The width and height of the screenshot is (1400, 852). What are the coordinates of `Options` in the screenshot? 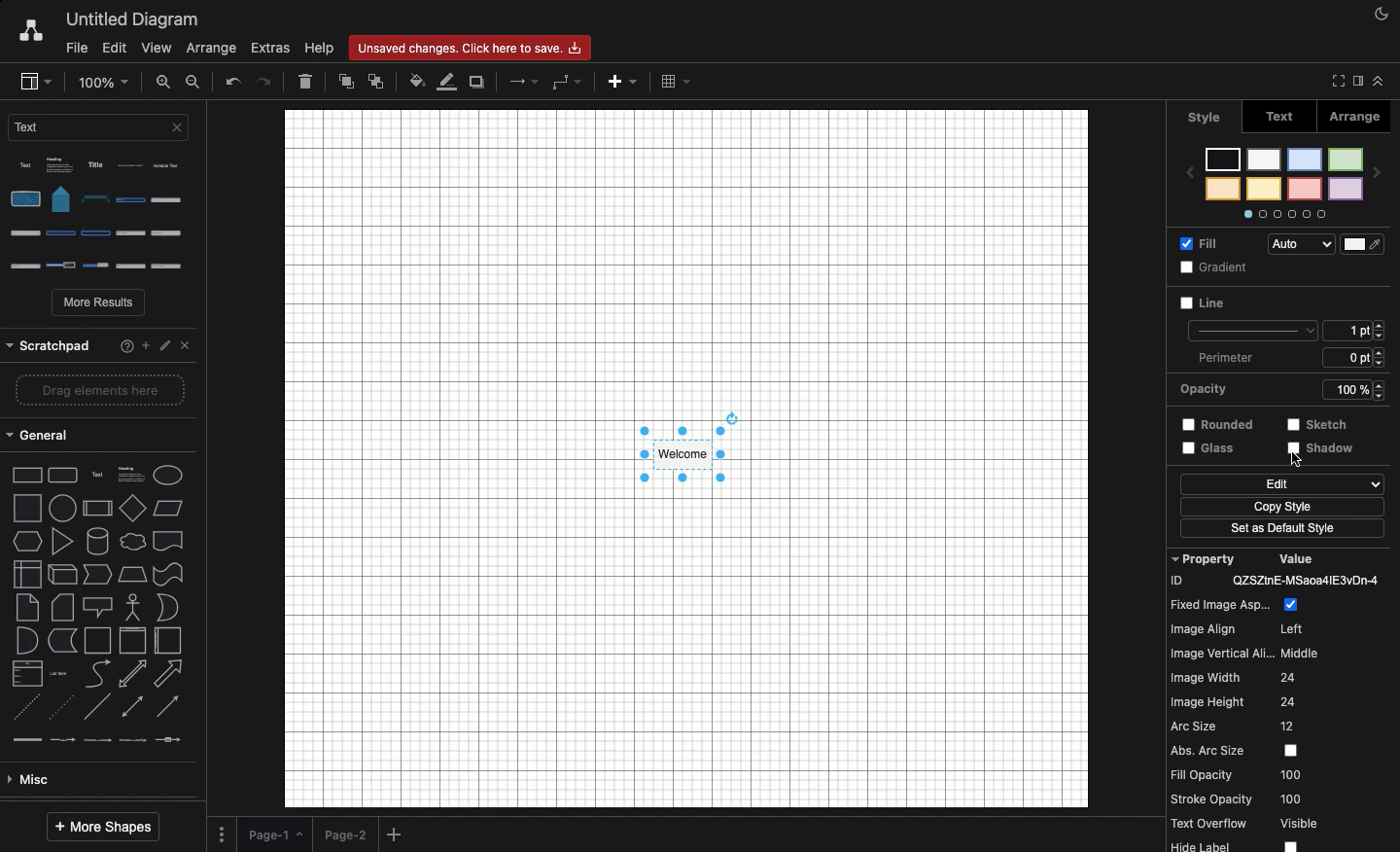 It's located at (104, 216).